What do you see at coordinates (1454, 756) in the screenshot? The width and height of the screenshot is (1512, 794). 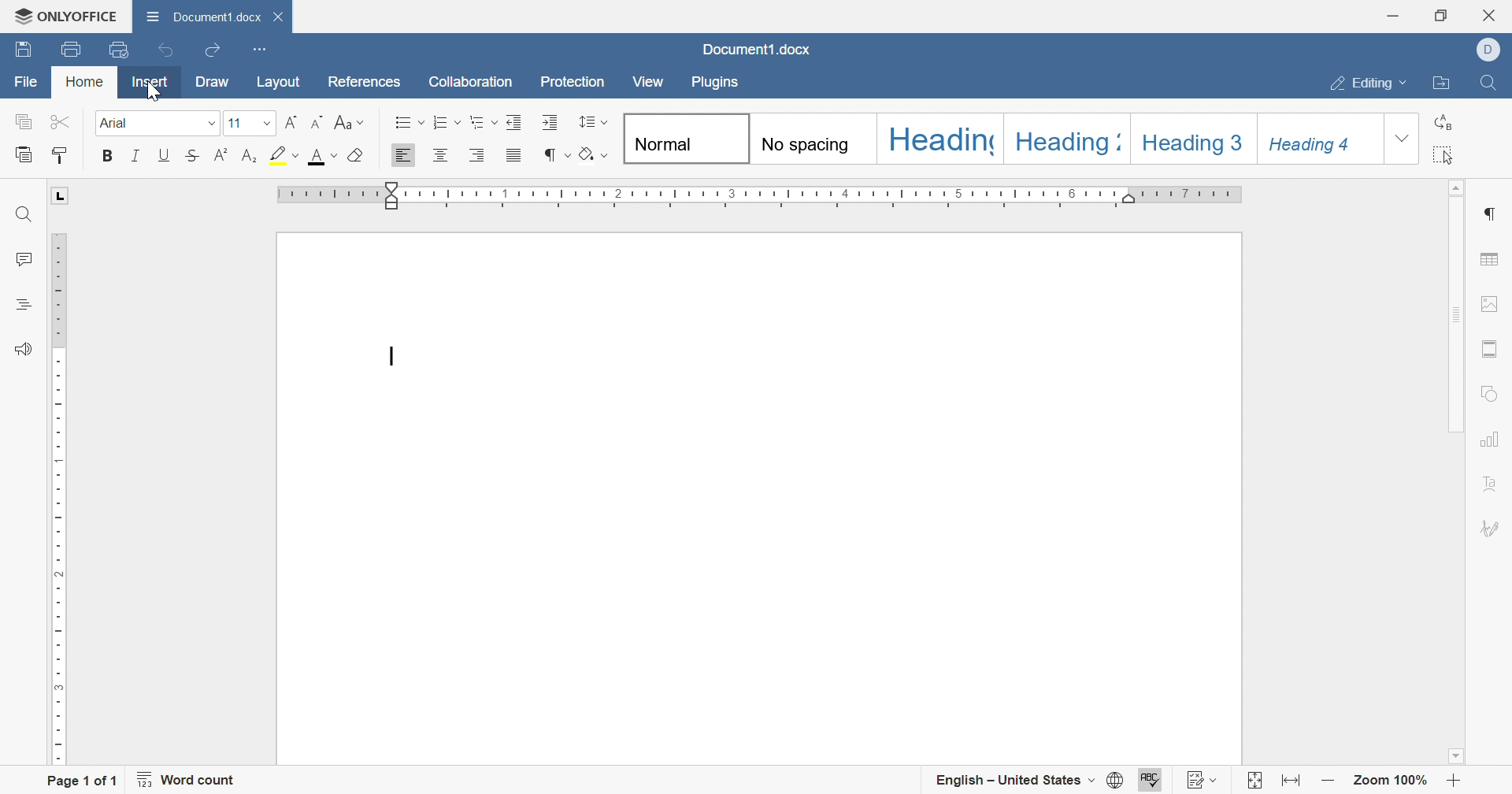 I see `Scroll down` at bounding box center [1454, 756].